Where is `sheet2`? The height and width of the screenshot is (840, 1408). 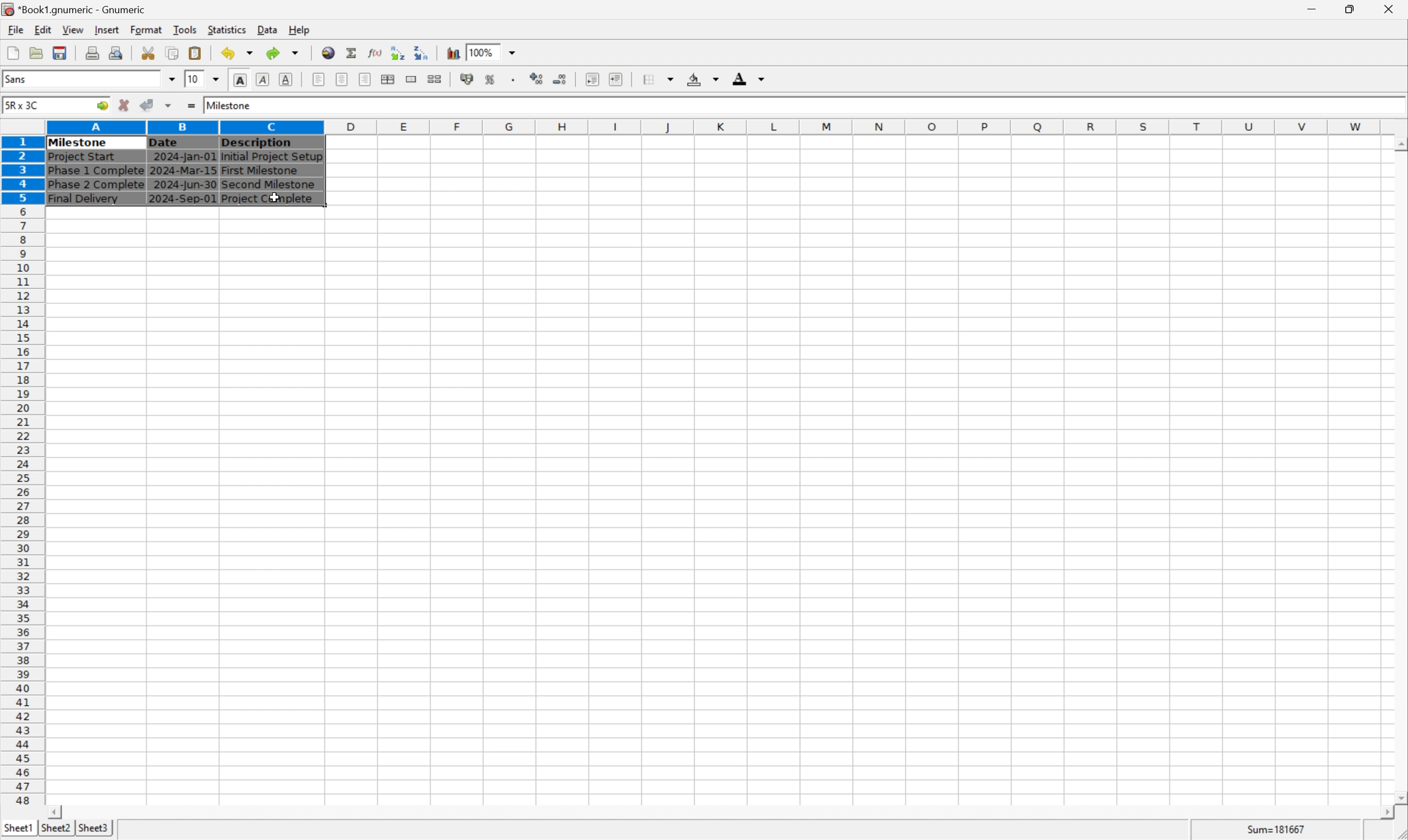 sheet2 is located at coordinates (53, 830).